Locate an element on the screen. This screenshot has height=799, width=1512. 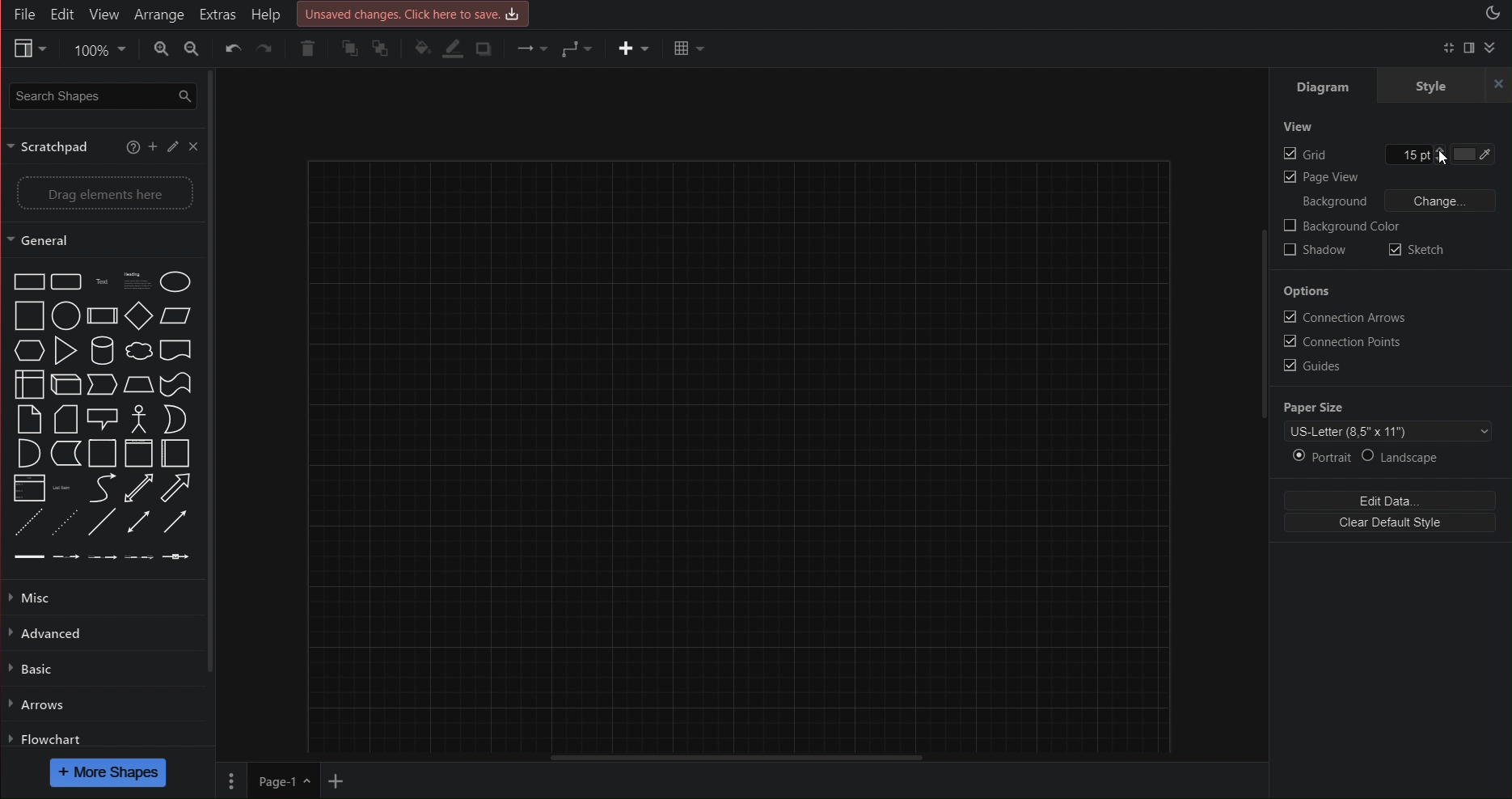
Cylinder is located at coordinates (101, 348).